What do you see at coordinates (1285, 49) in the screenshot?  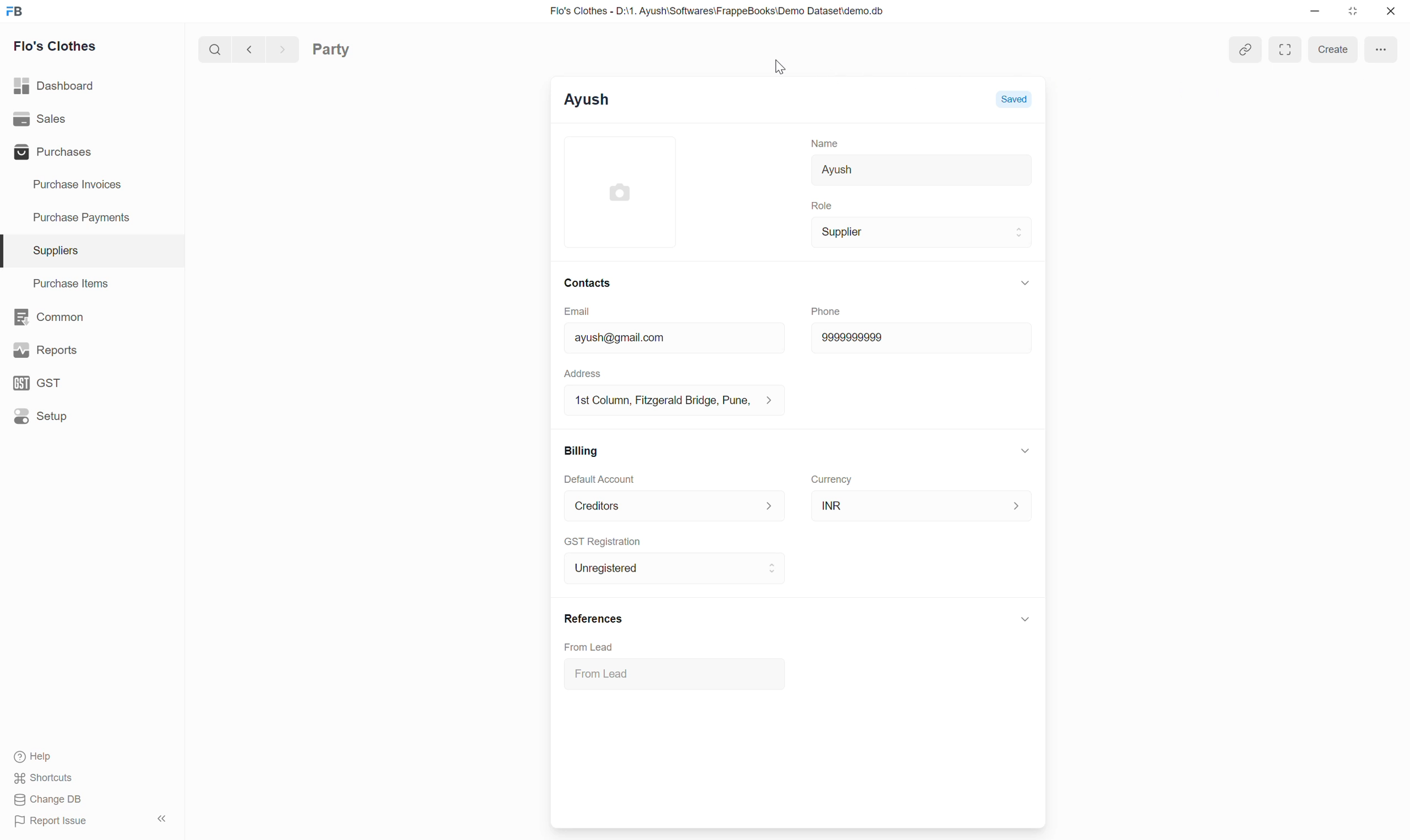 I see `Toggle between form and full width` at bounding box center [1285, 49].